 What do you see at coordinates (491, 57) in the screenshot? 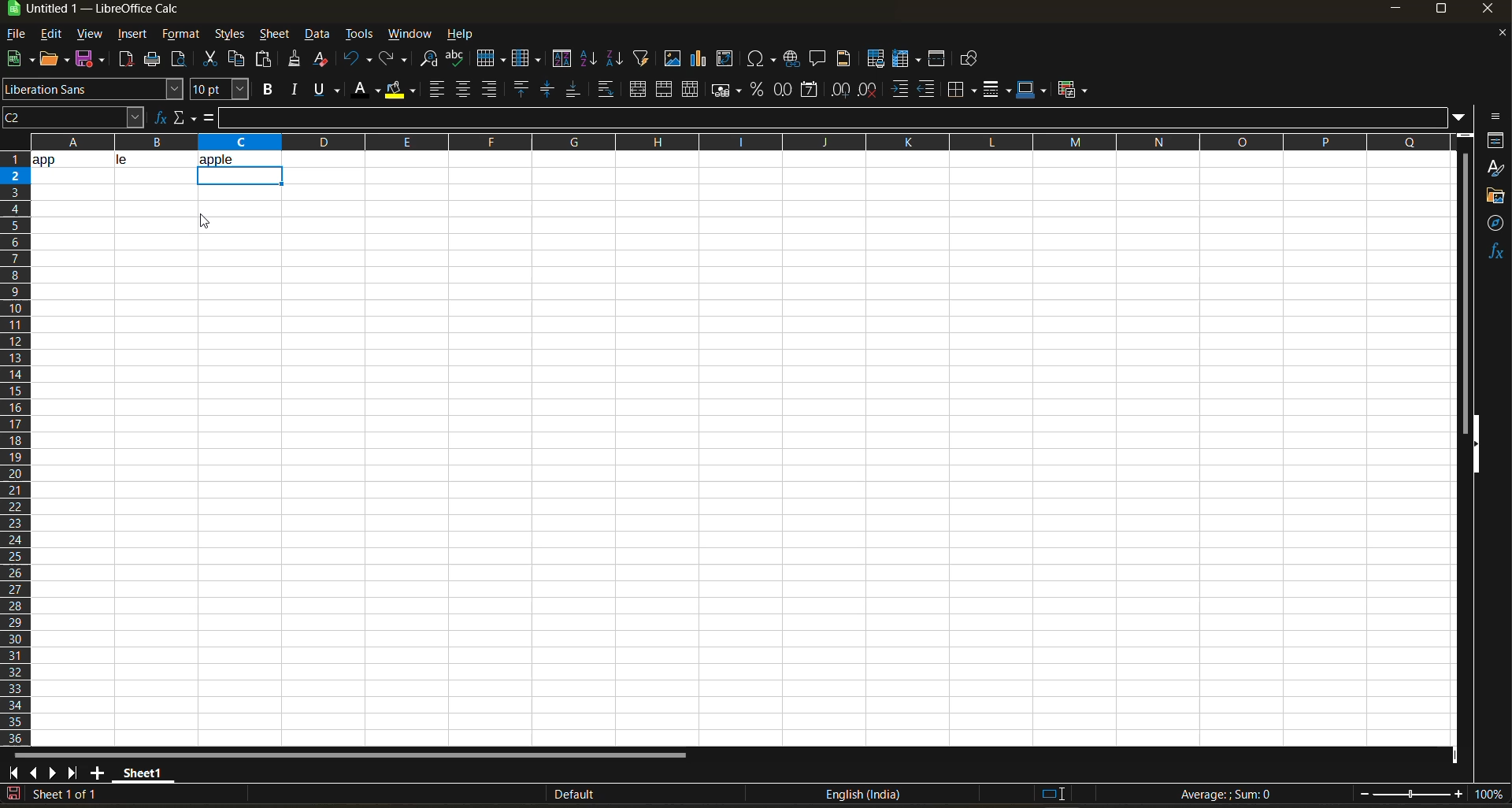
I see `row` at bounding box center [491, 57].